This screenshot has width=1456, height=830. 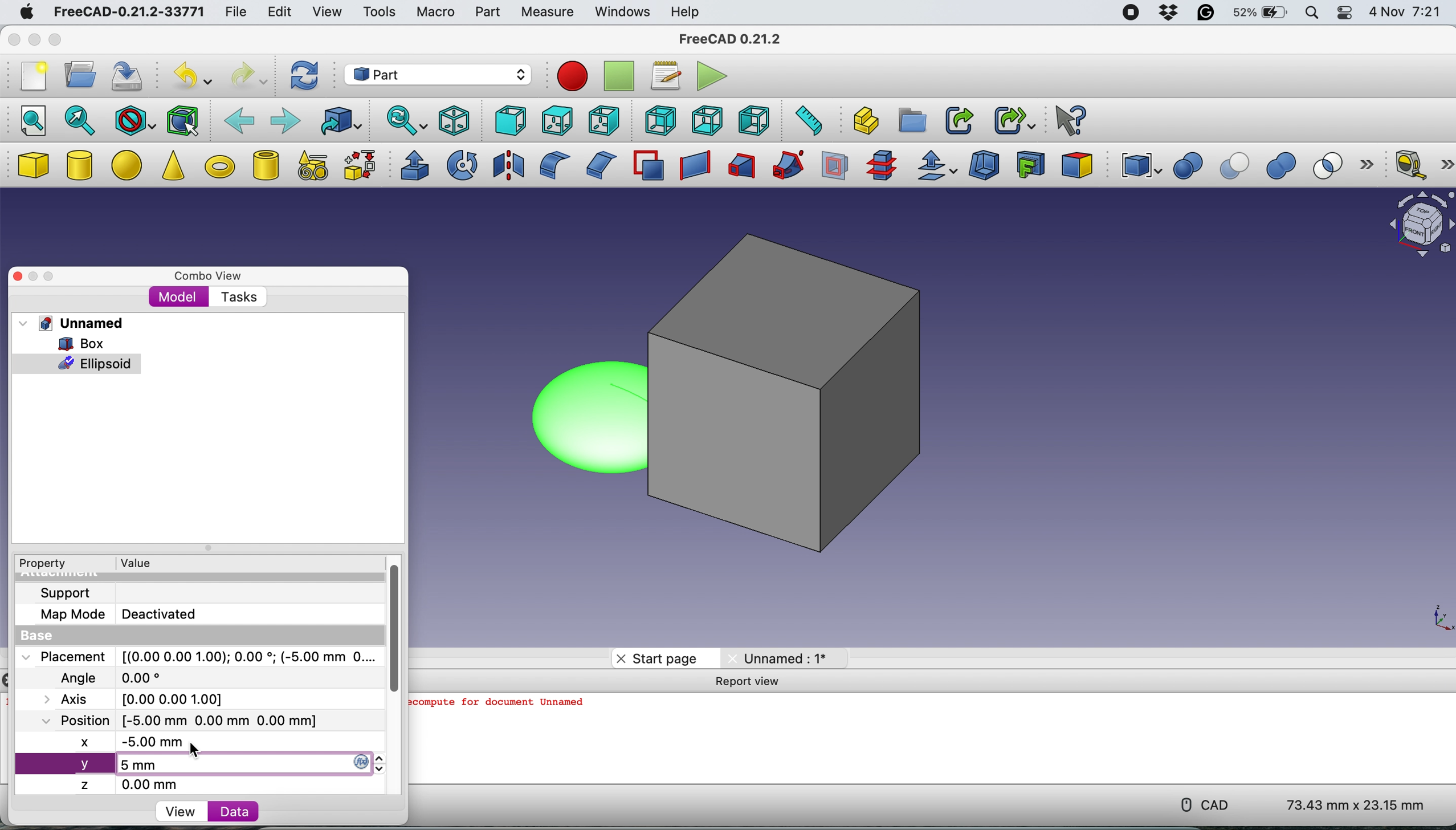 What do you see at coordinates (189, 76) in the screenshot?
I see `undo` at bounding box center [189, 76].